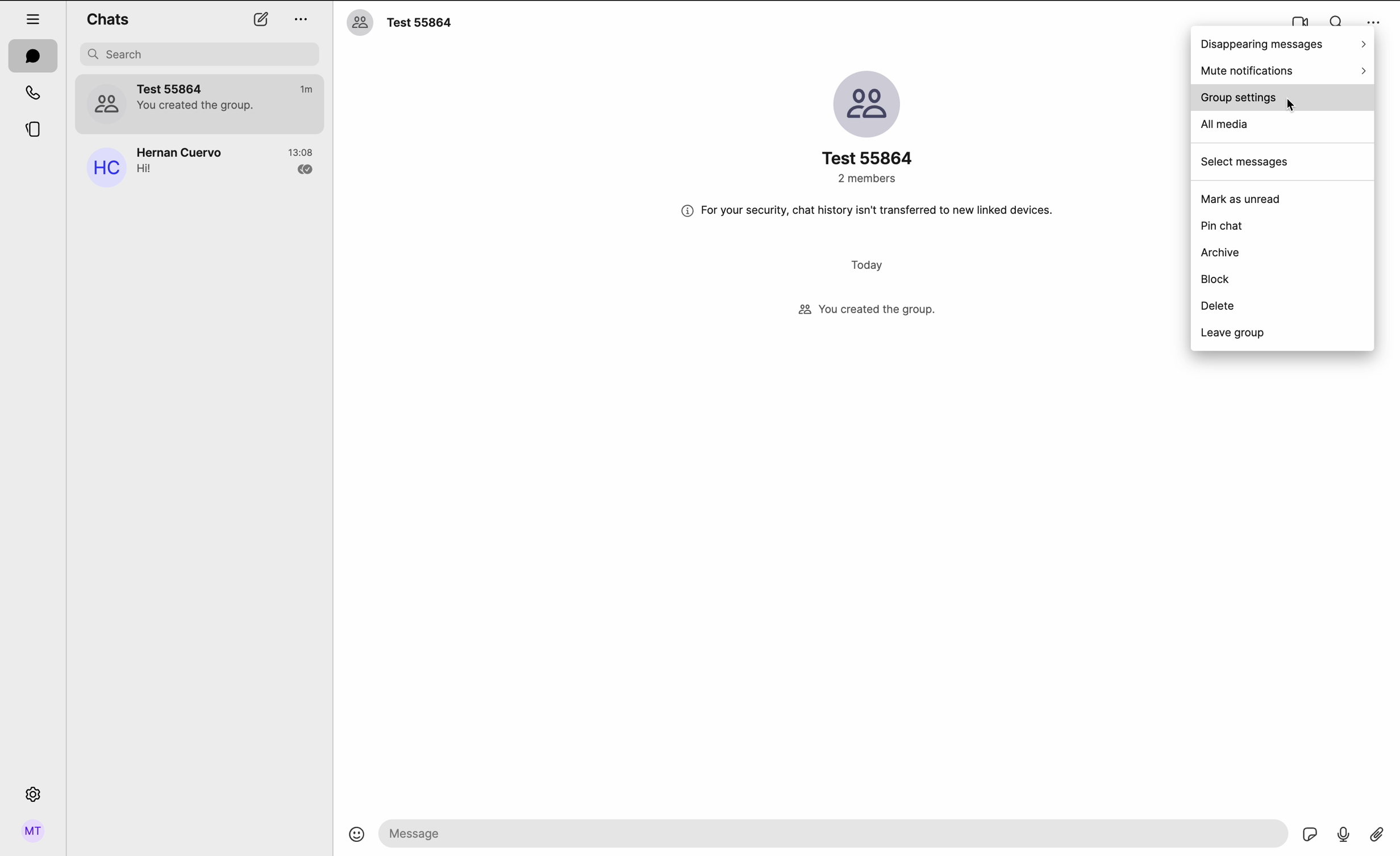 Image resolution: width=1400 pixels, height=856 pixels. Describe the element at coordinates (1293, 106) in the screenshot. I see `cursor` at that location.